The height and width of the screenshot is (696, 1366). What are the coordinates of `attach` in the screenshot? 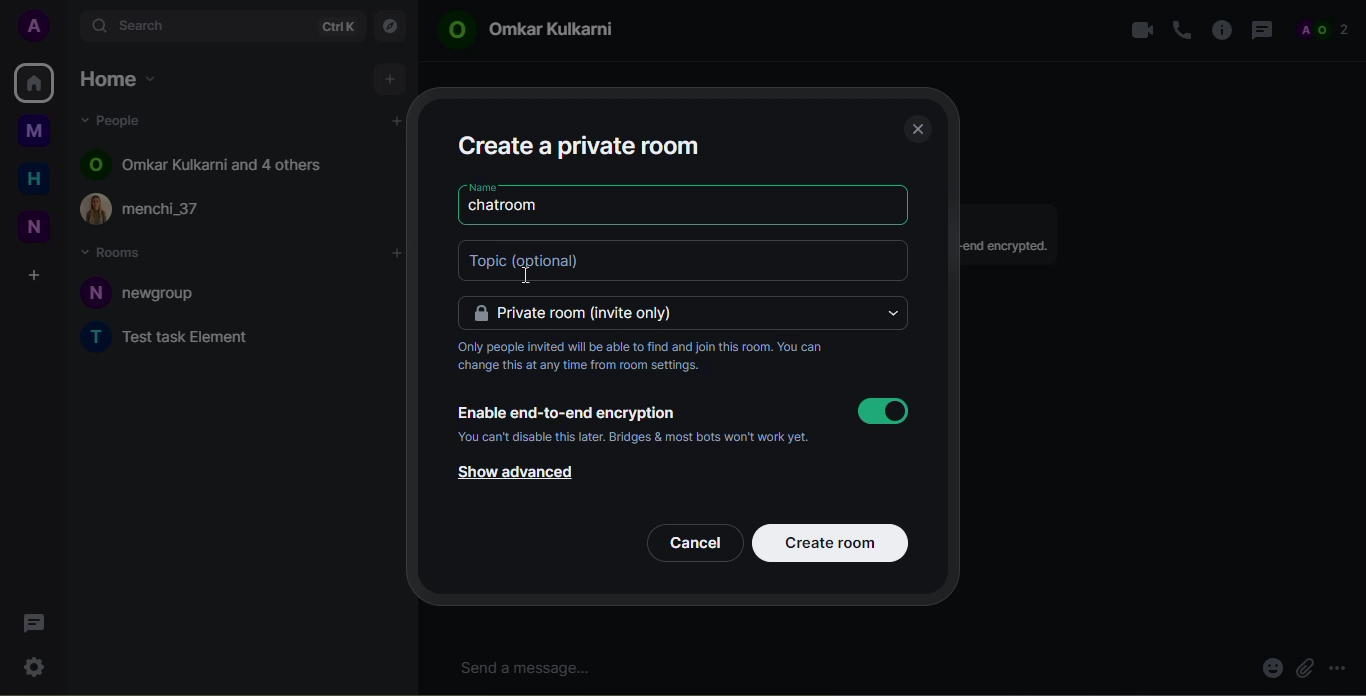 It's located at (1304, 669).